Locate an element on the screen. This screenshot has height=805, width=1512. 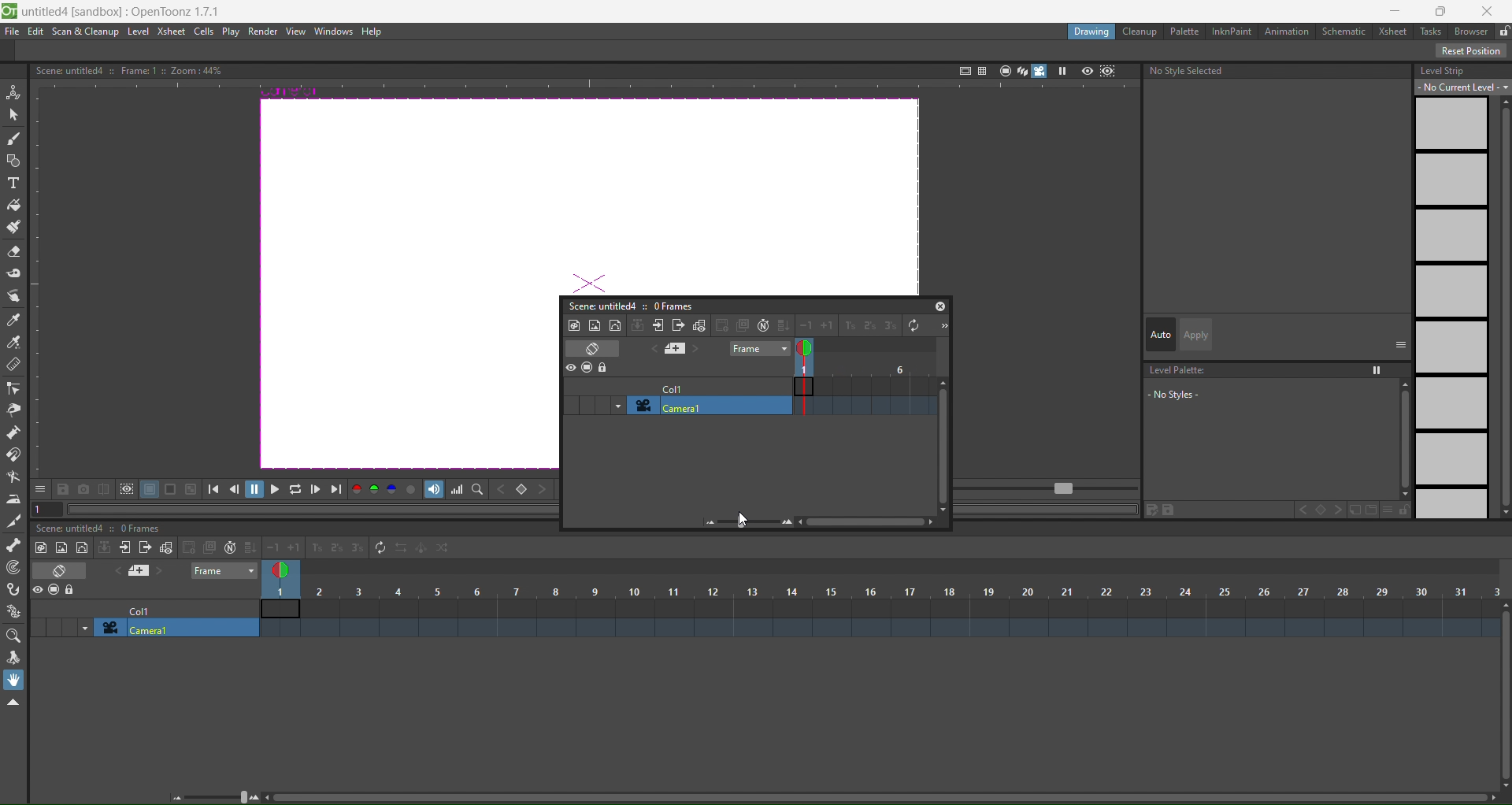
brush tool is located at coordinates (14, 139).